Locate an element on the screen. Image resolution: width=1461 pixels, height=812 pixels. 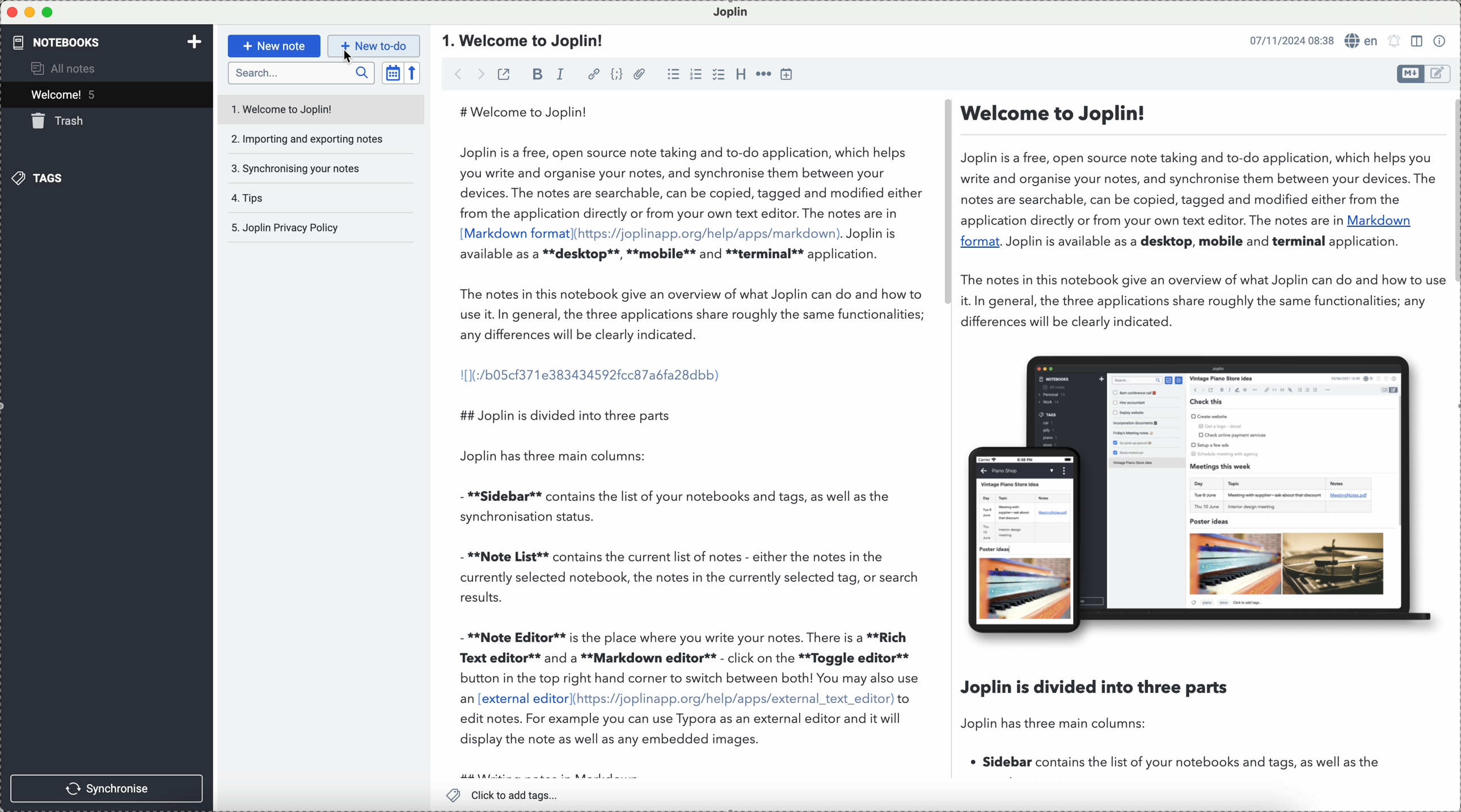
document title is located at coordinates (524, 40).